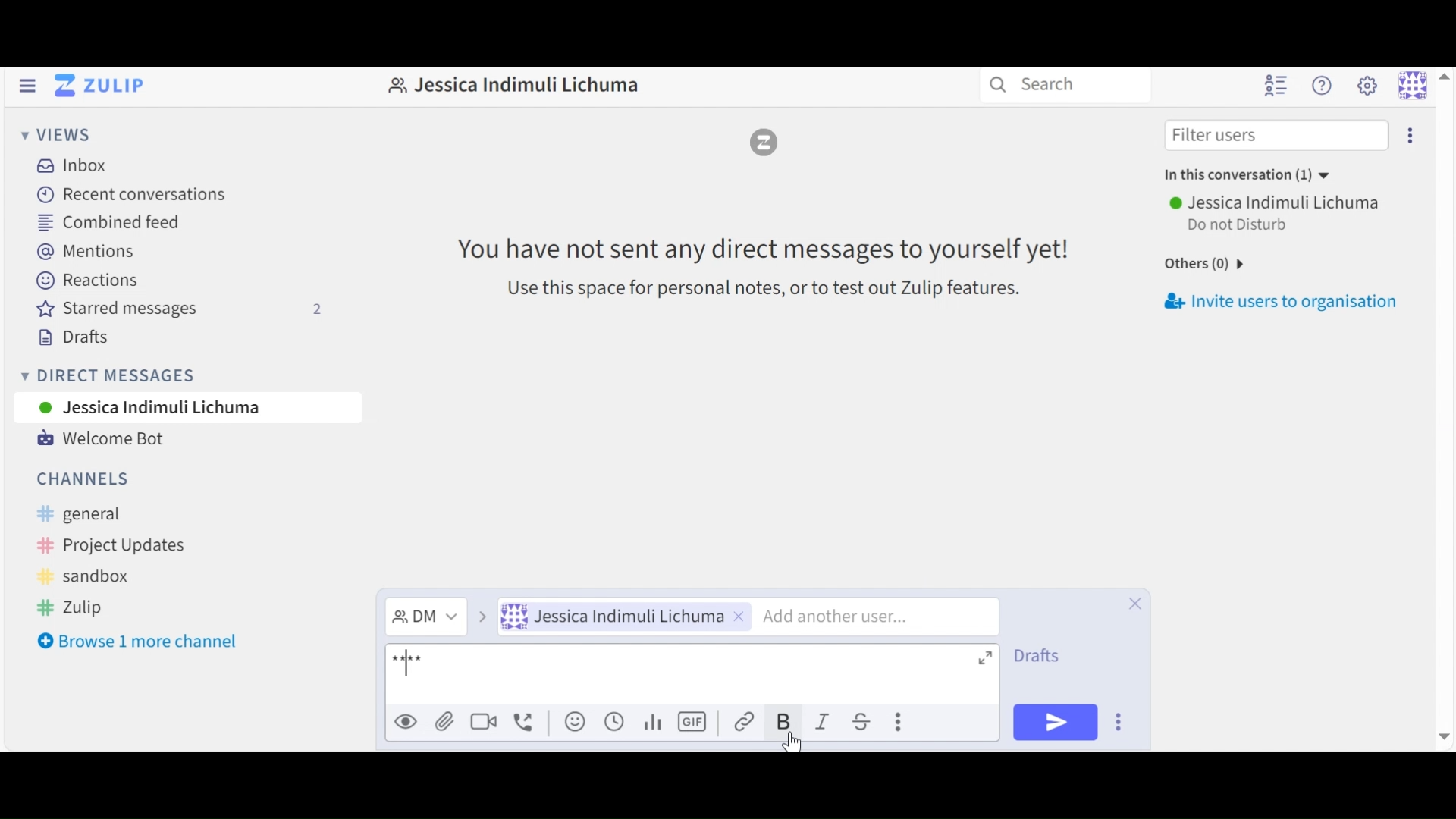  What do you see at coordinates (766, 142) in the screenshot?
I see `logo` at bounding box center [766, 142].